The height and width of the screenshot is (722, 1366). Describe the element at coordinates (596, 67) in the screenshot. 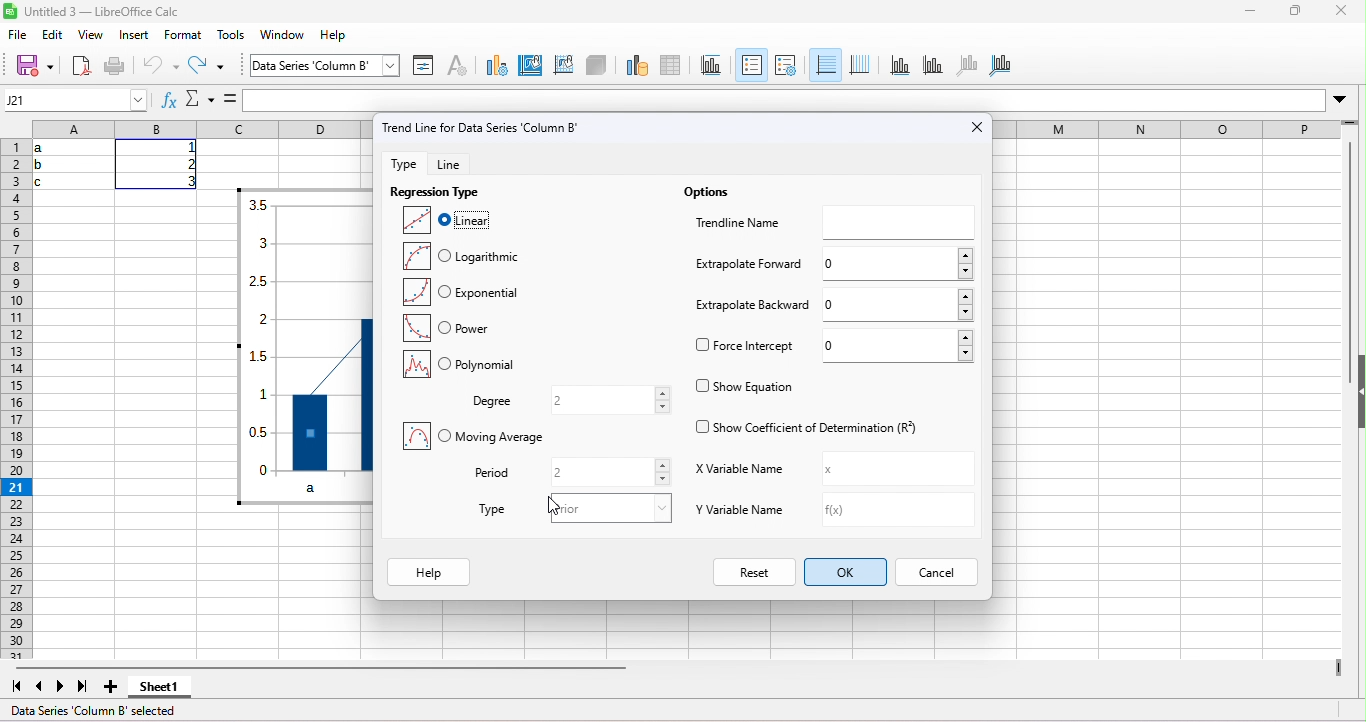

I see `3d view` at that location.